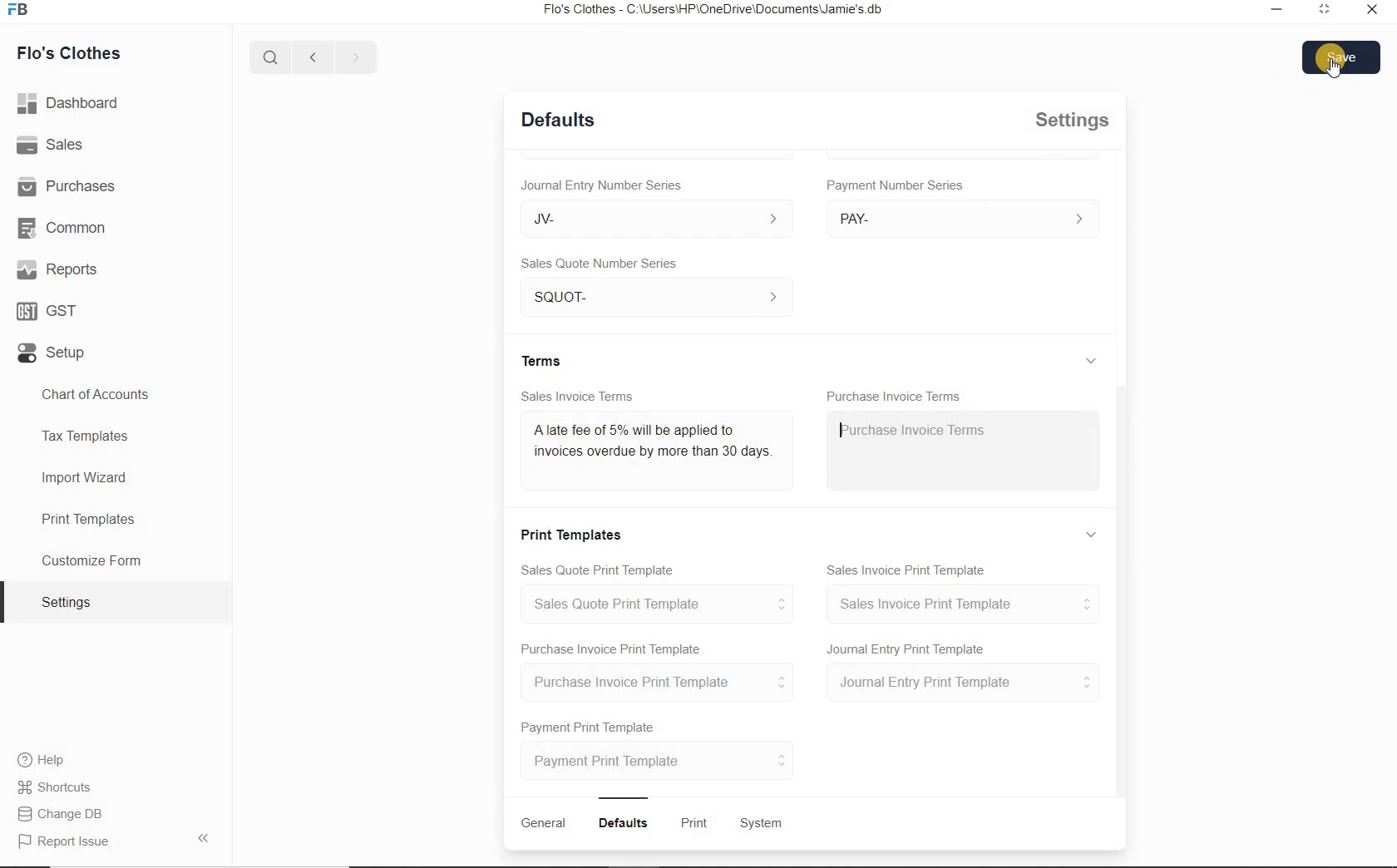 The width and height of the screenshot is (1397, 868). Describe the element at coordinates (896, 185) in the screenshot. I see `Payment Number Series` at that location.